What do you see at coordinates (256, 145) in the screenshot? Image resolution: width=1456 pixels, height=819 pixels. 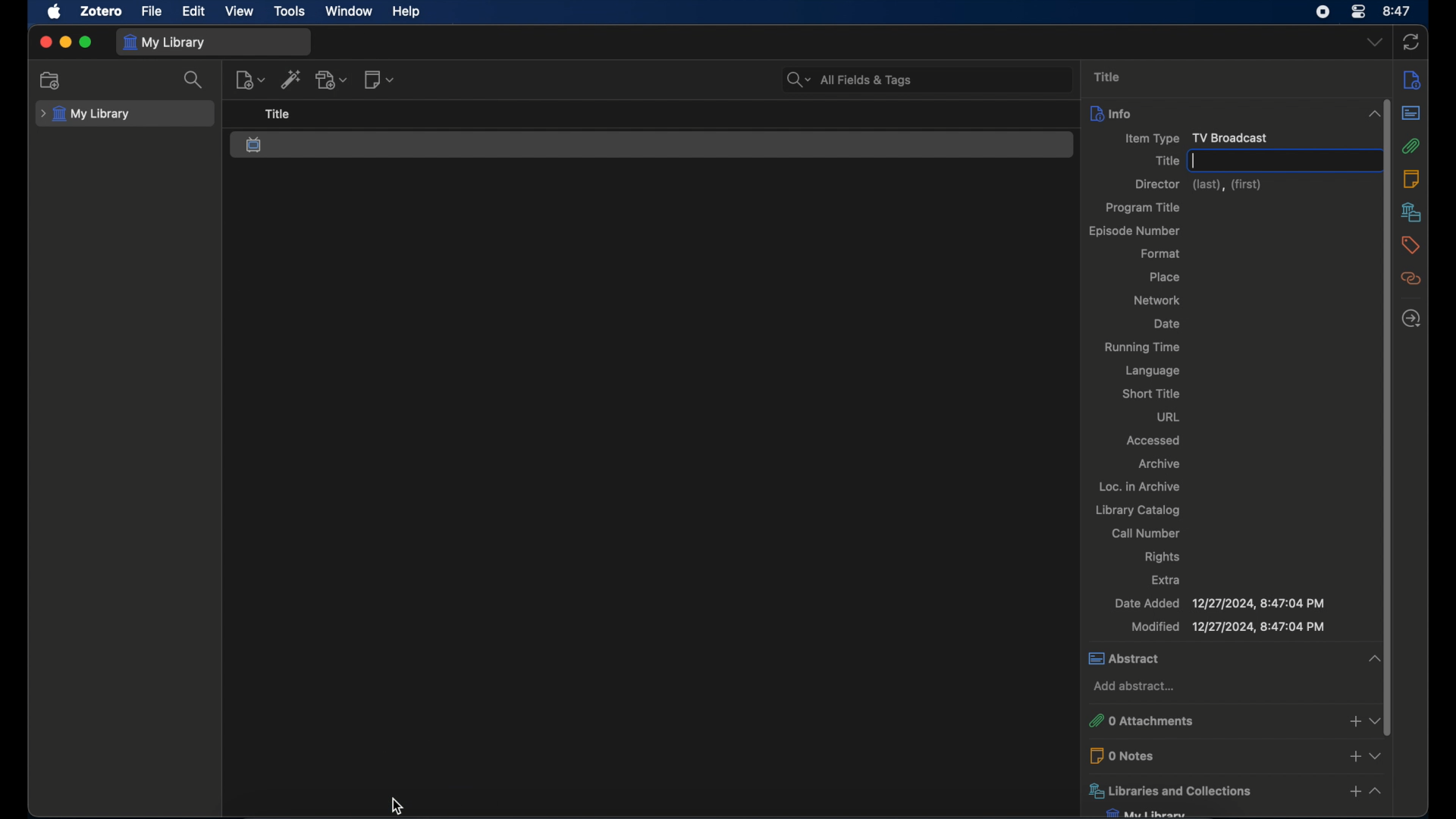 I see `tv broadcast` at bounding box center [256, 145].